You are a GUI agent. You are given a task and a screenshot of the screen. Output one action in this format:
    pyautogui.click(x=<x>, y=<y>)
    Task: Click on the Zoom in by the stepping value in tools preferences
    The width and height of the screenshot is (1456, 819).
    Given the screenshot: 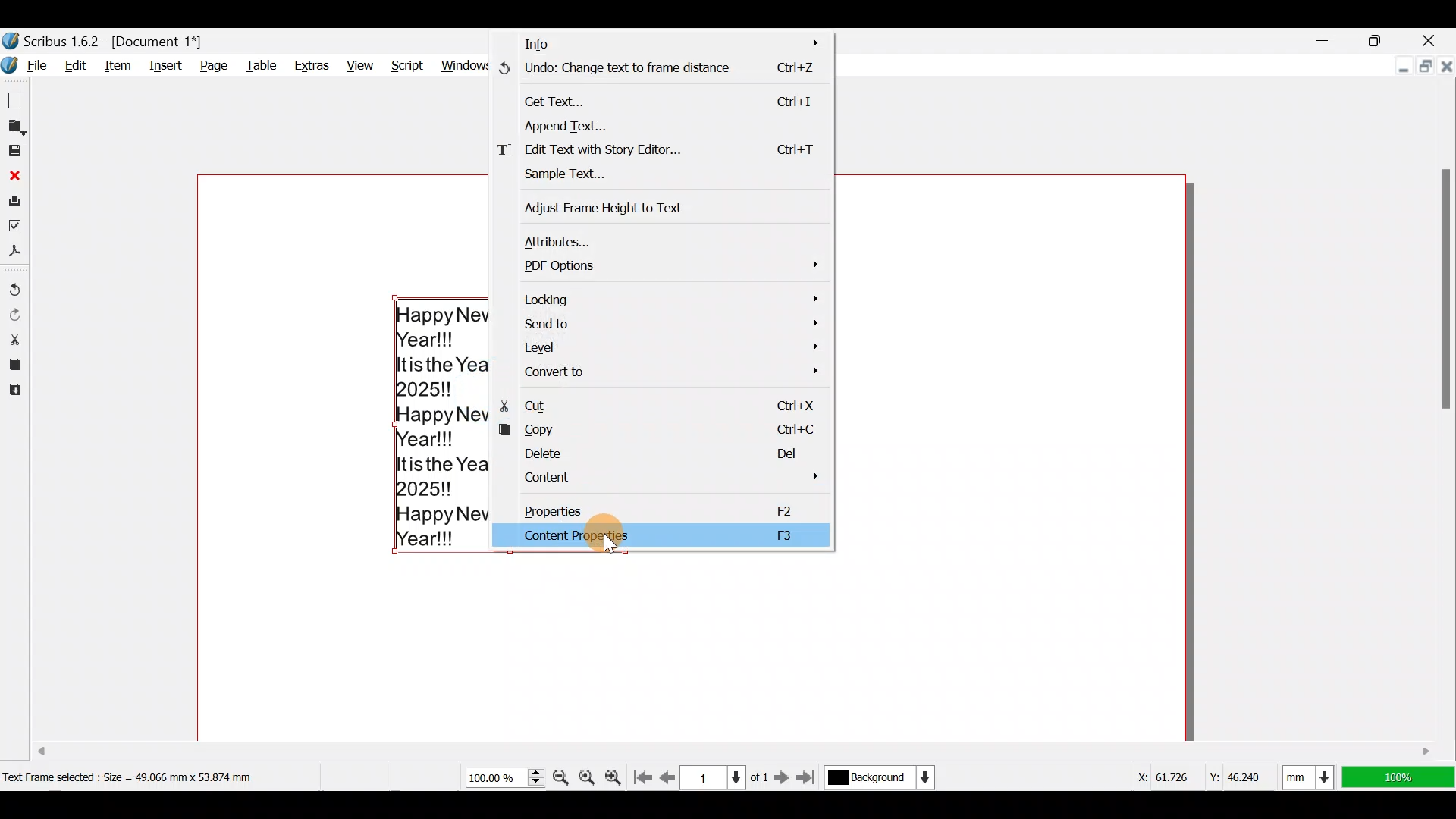 What is the action you would take?
    pyautogui.click(x=617, y=774)
    